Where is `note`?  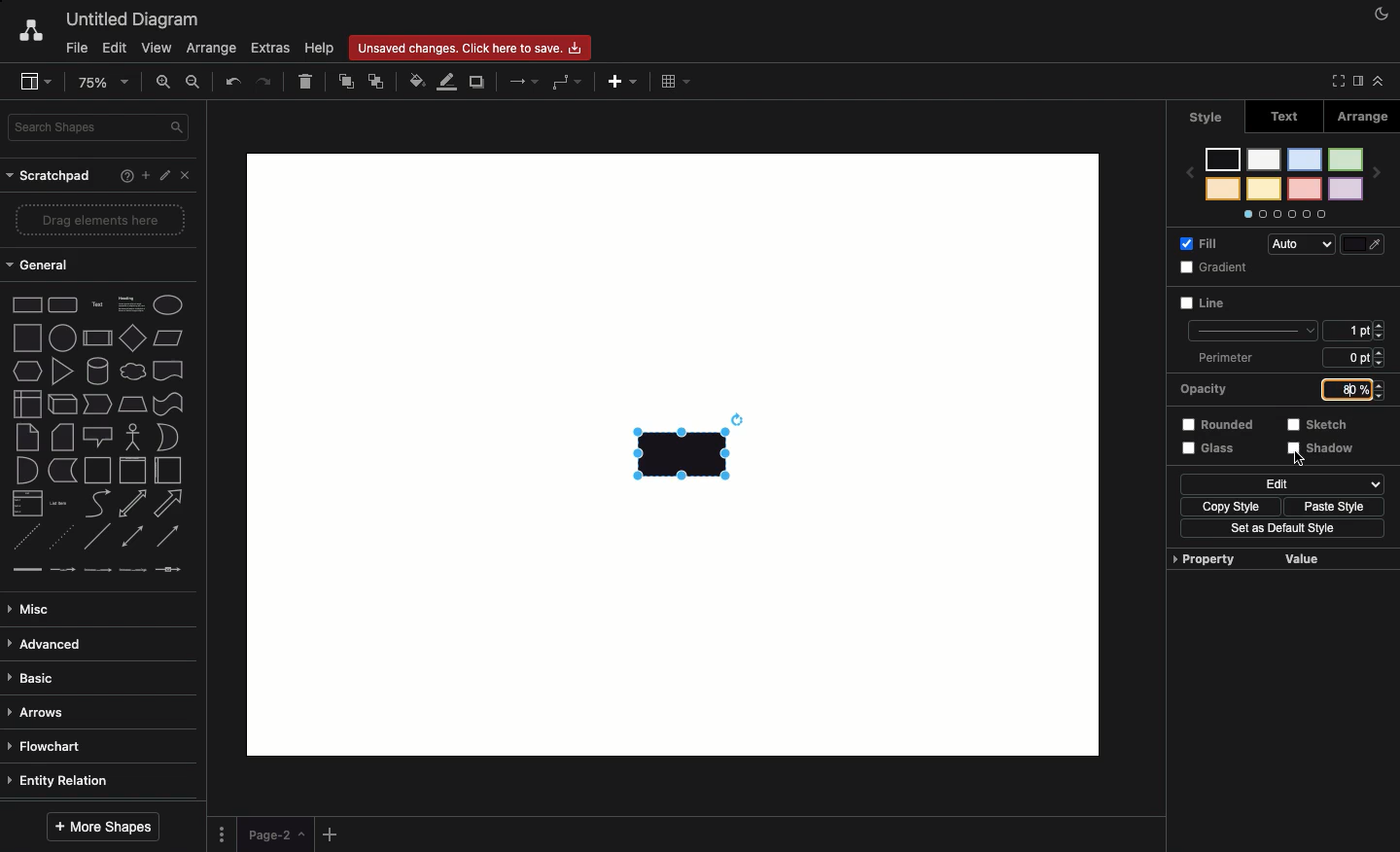 note is located at coordinates (28, 437).